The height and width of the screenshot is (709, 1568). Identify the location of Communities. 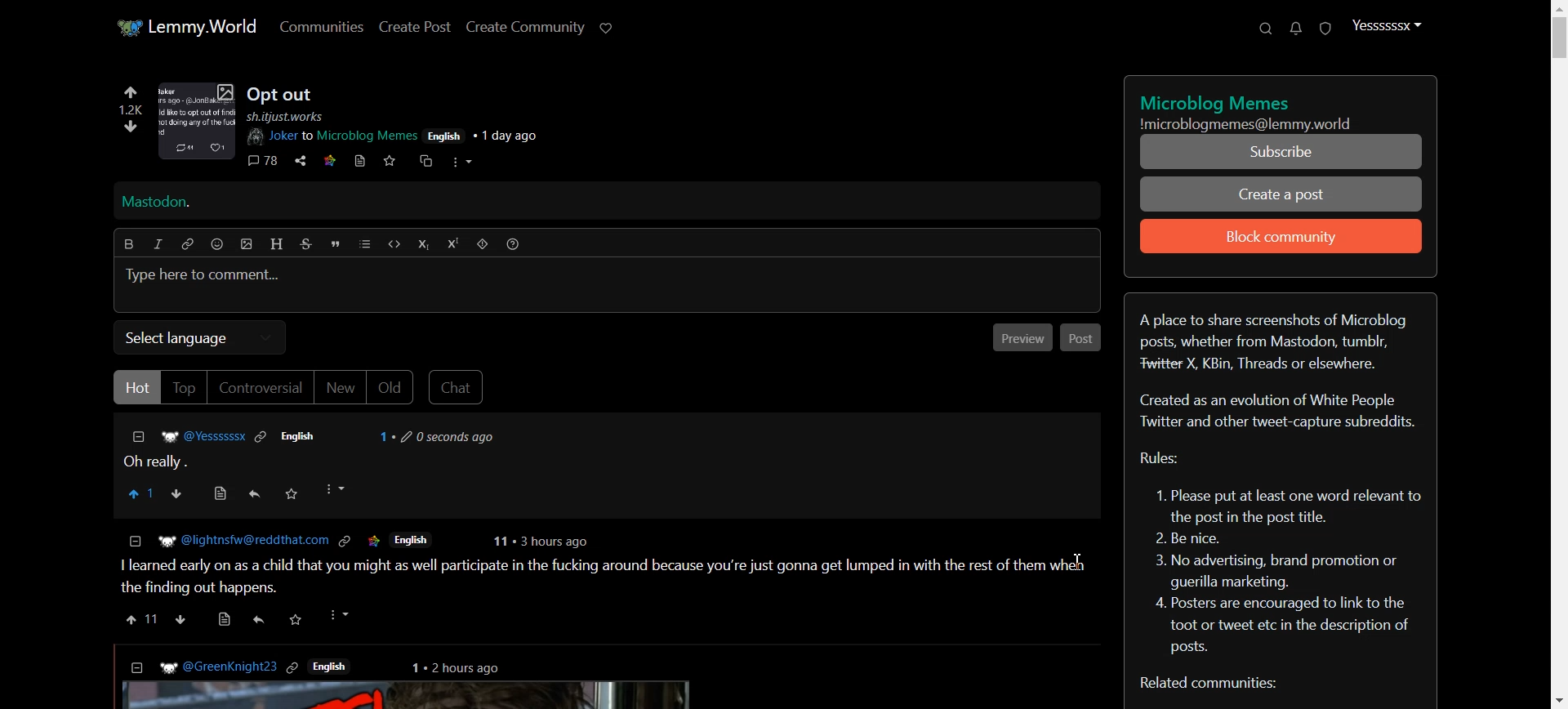
(320, 26).